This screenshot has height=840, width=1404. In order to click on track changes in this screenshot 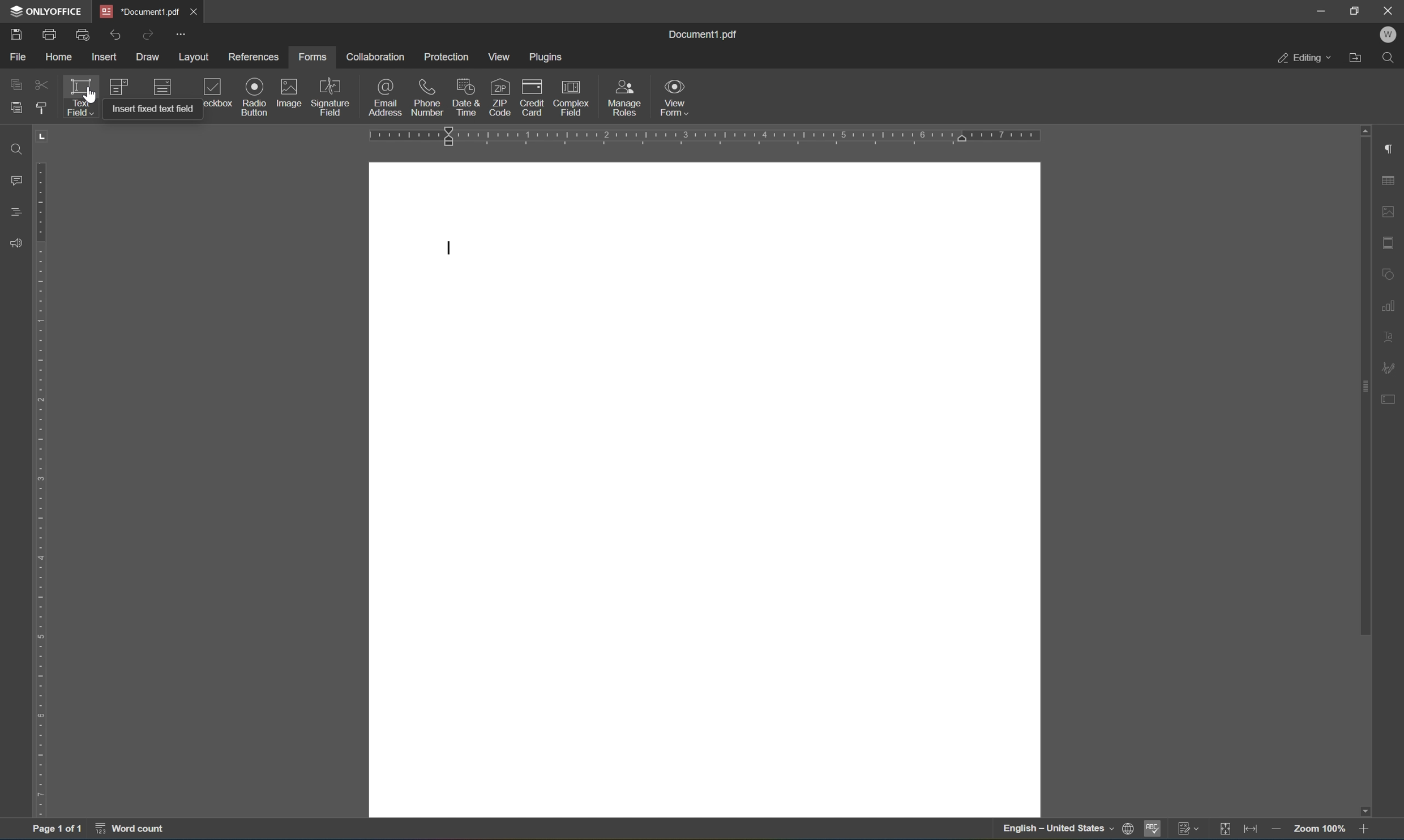, I will do `click(1187, 830)`.